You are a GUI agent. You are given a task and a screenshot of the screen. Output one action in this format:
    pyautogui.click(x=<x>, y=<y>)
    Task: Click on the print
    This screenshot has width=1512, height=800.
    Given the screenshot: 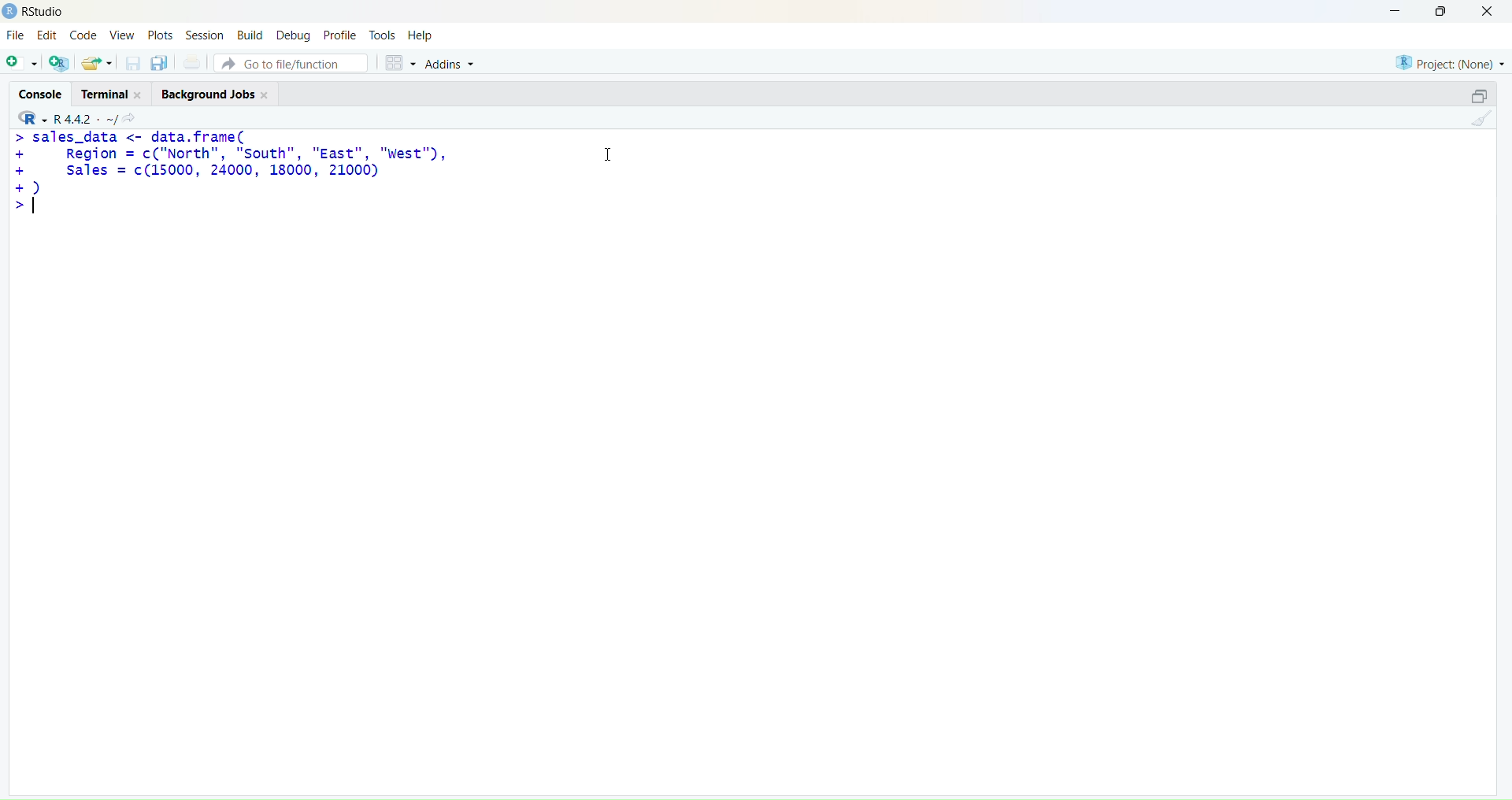 What is the action you would take?
    pyautogui.click(x=192, y=65)
    